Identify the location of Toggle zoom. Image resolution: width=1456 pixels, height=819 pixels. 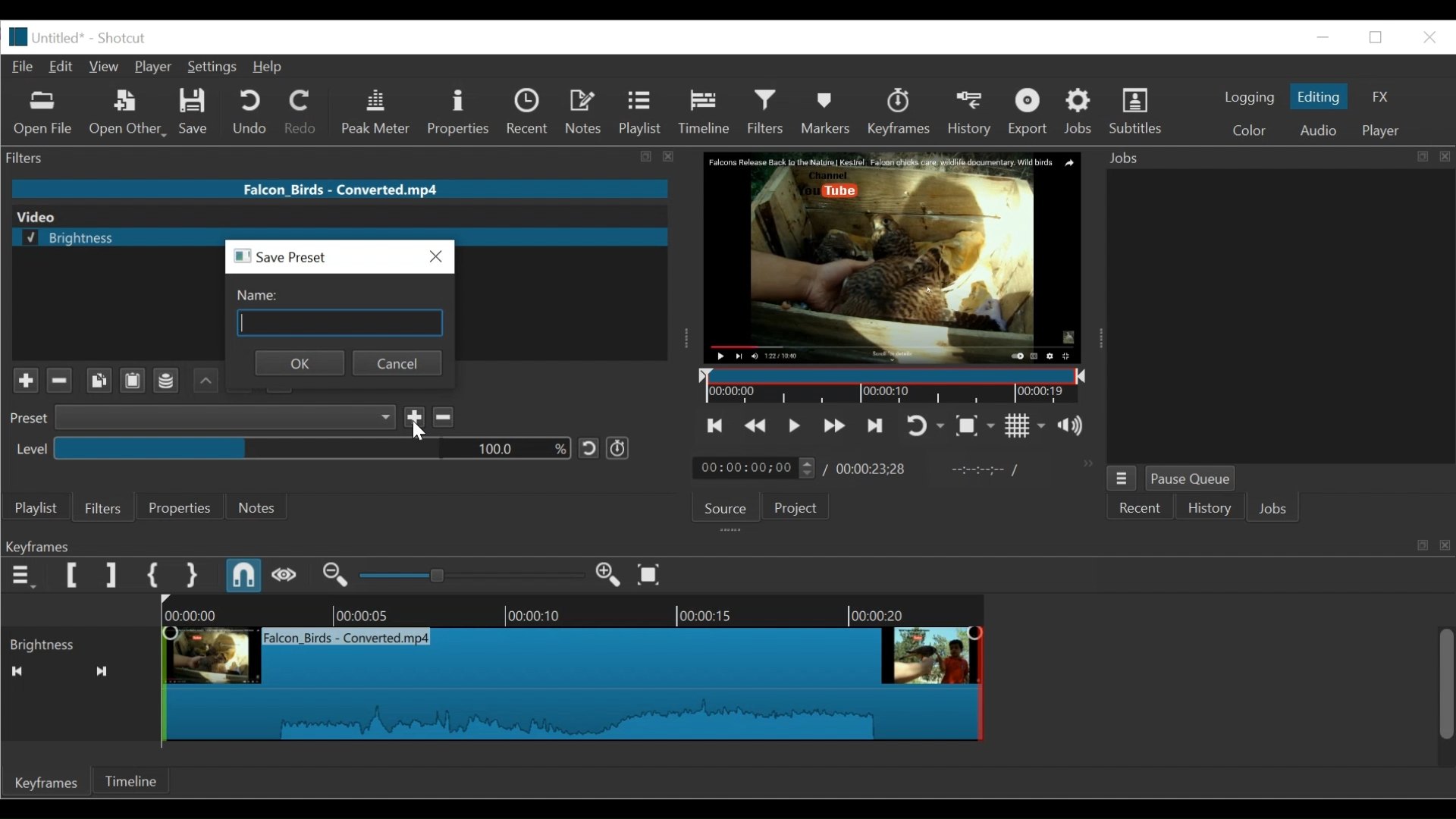
(977, 426).